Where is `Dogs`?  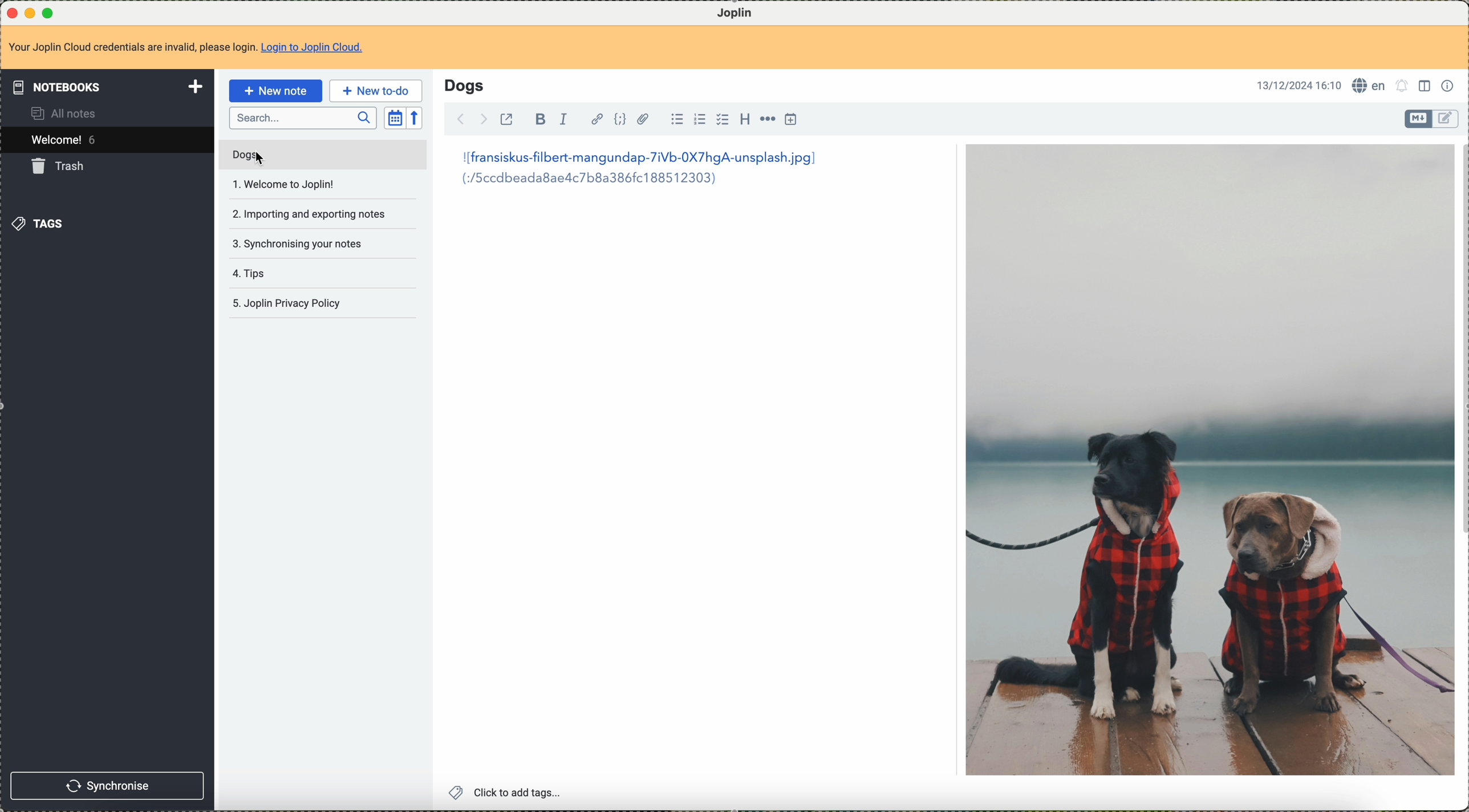 Dogs is located at coordinates (464, 84).